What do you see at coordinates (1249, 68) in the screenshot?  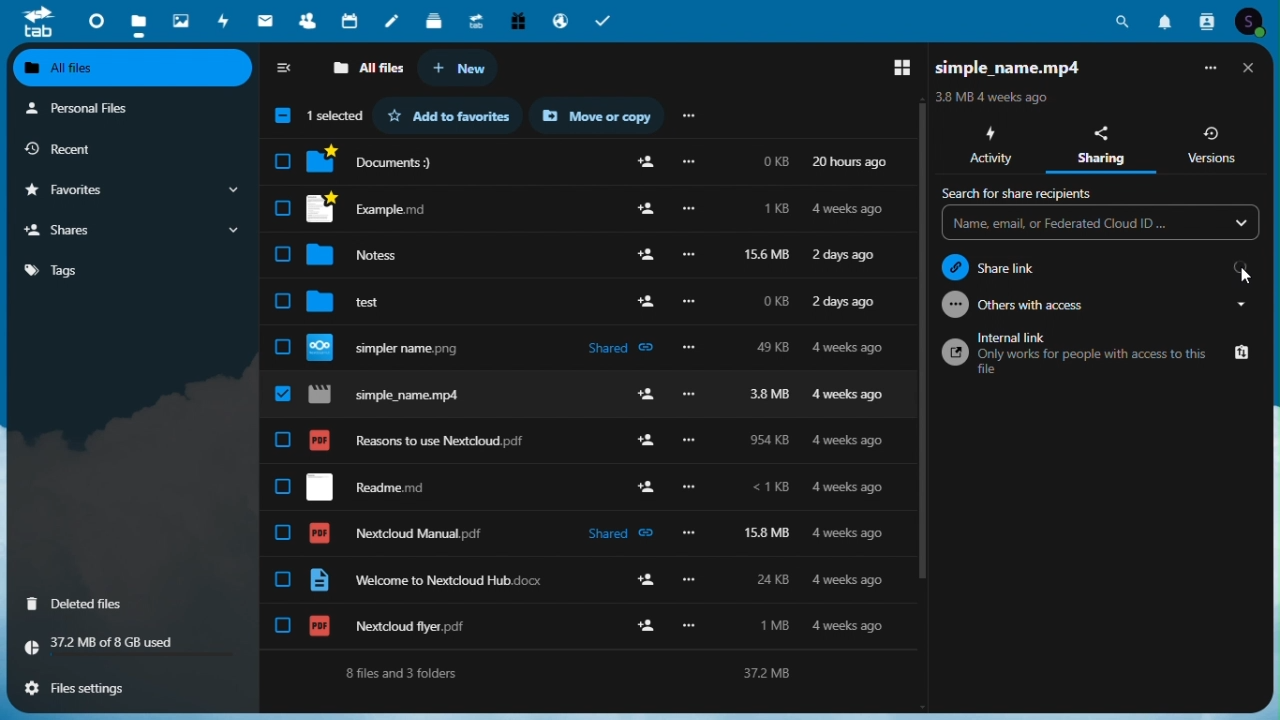 I see `Close` at bounding box center [1249, 68].